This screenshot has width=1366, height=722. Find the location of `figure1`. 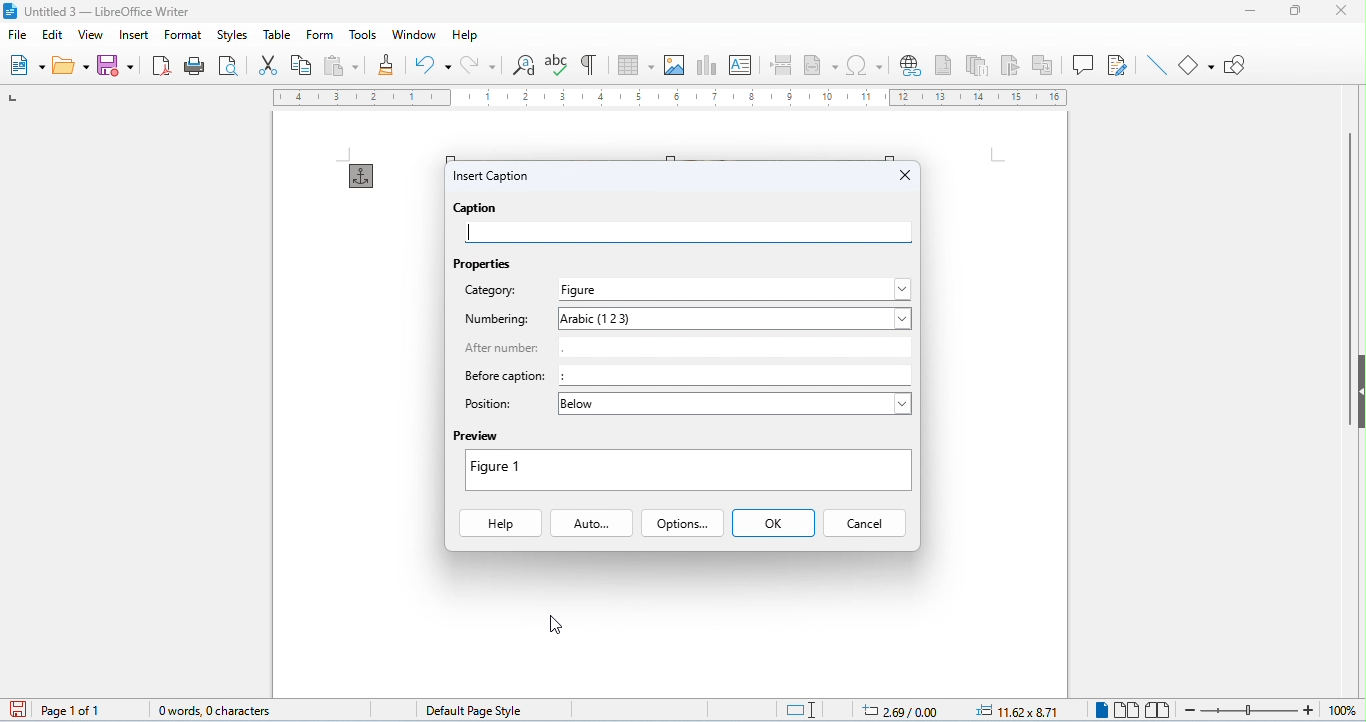

figure1 is located at coordinates (501, 468).